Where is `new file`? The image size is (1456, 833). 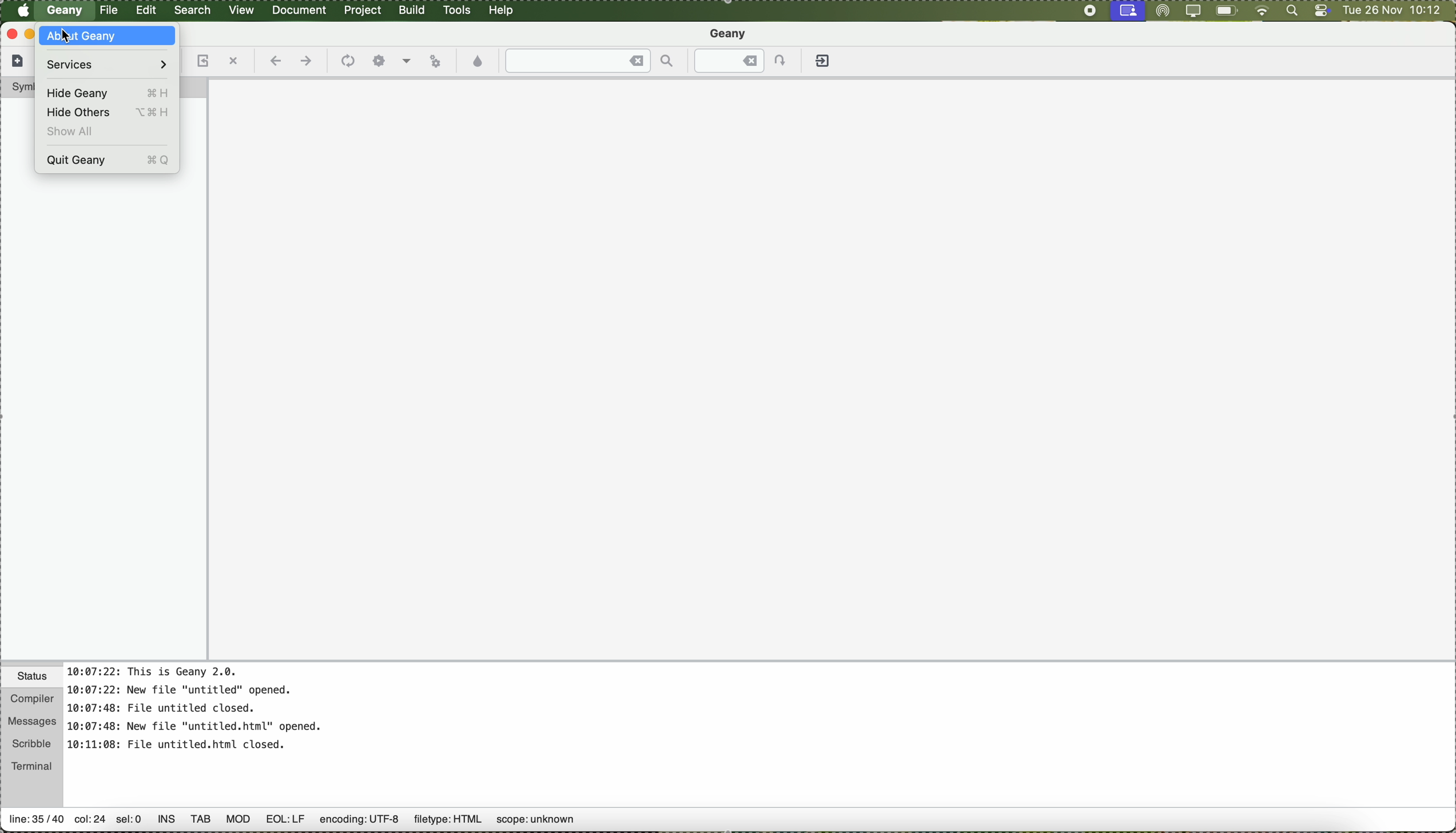
new file is located at coordinates (18, 64).